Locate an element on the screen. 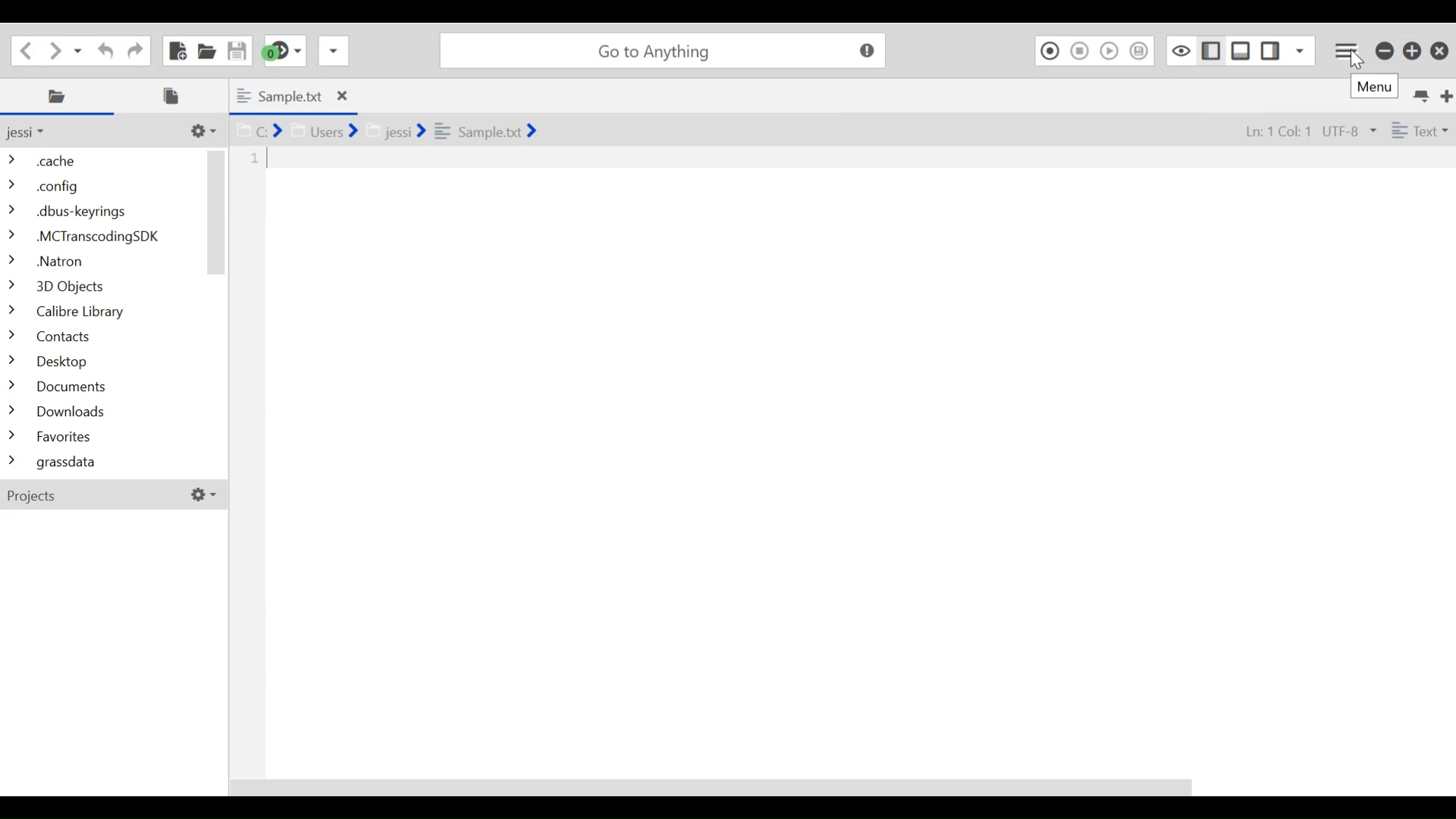 The height and width of the screenshot is (819, 1456). Redo is located at coordinates (133, 49).